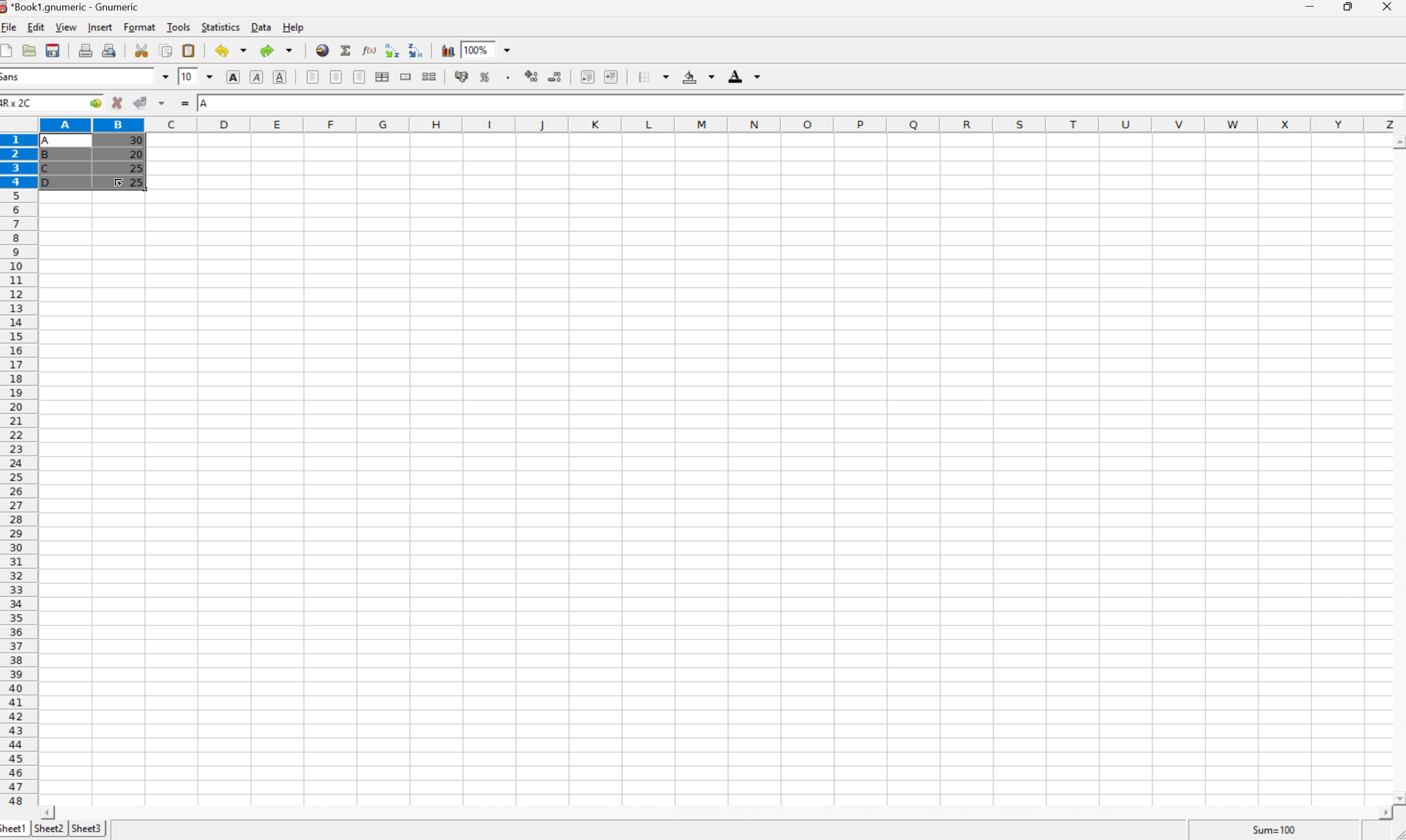  Describe the element at coordinates (360, 77) in the screenshot. I see `Align Right` at that location.